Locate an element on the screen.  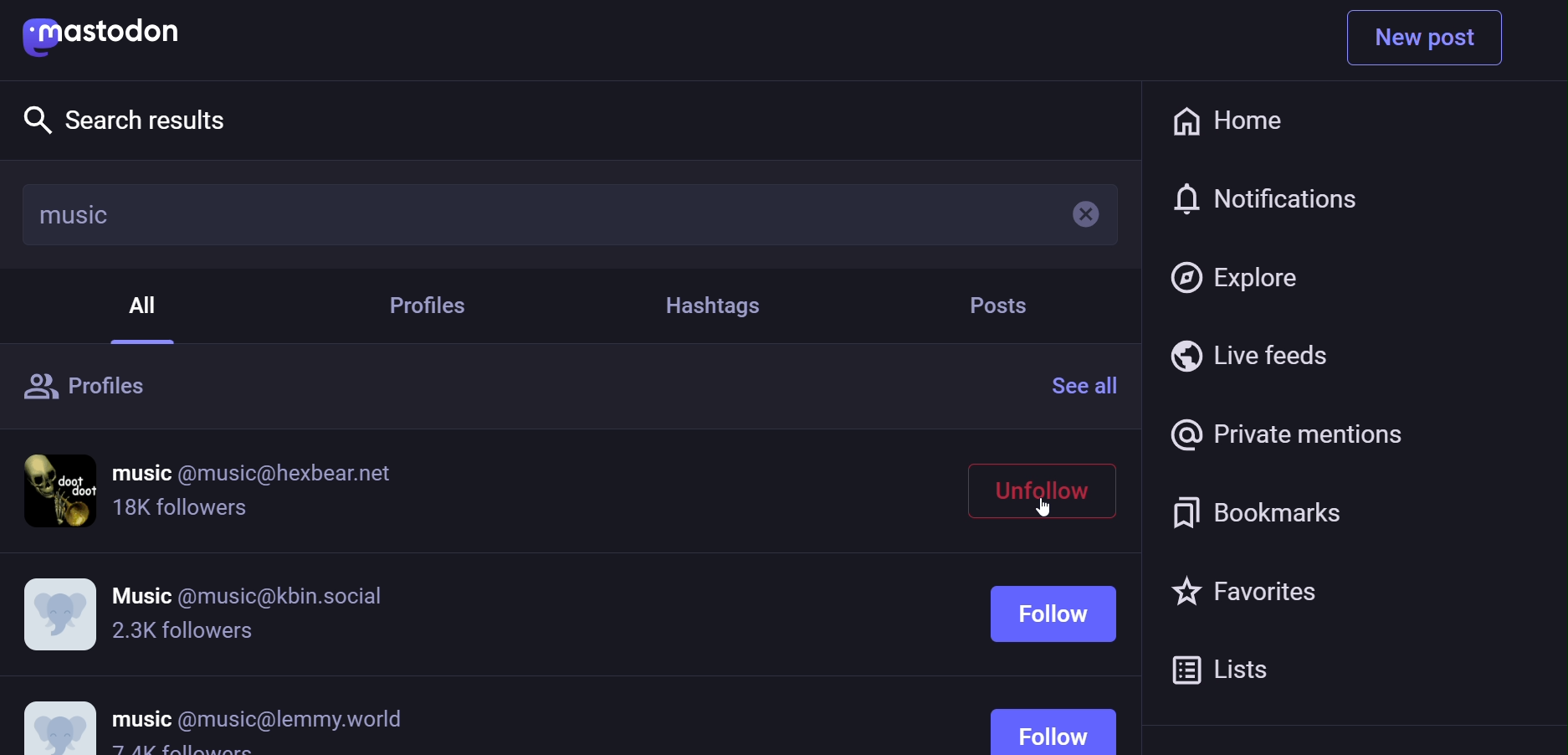
new post is located at coordinates (1426, 38).